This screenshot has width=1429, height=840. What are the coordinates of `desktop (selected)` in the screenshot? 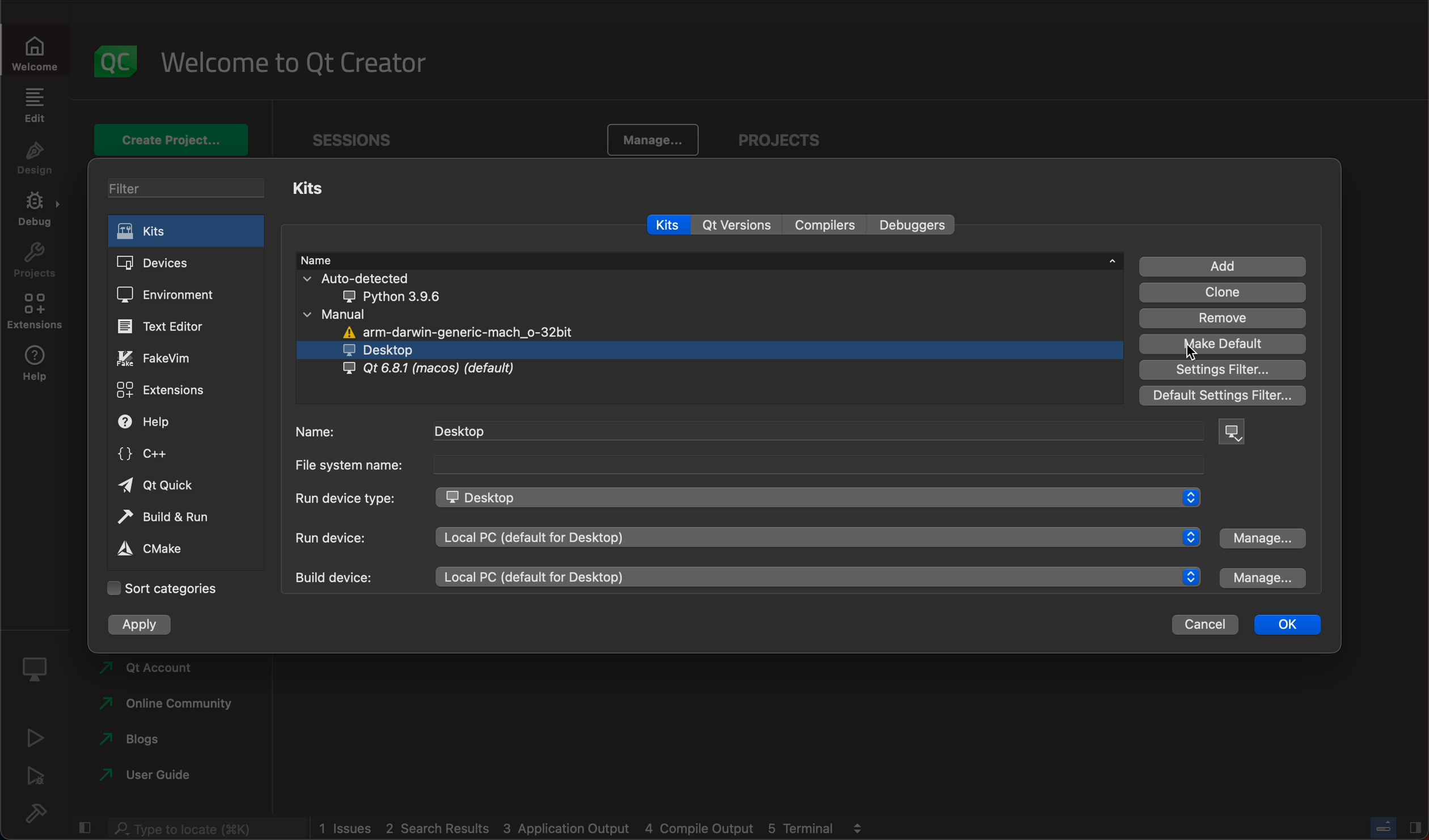 It's located at (708, 350).